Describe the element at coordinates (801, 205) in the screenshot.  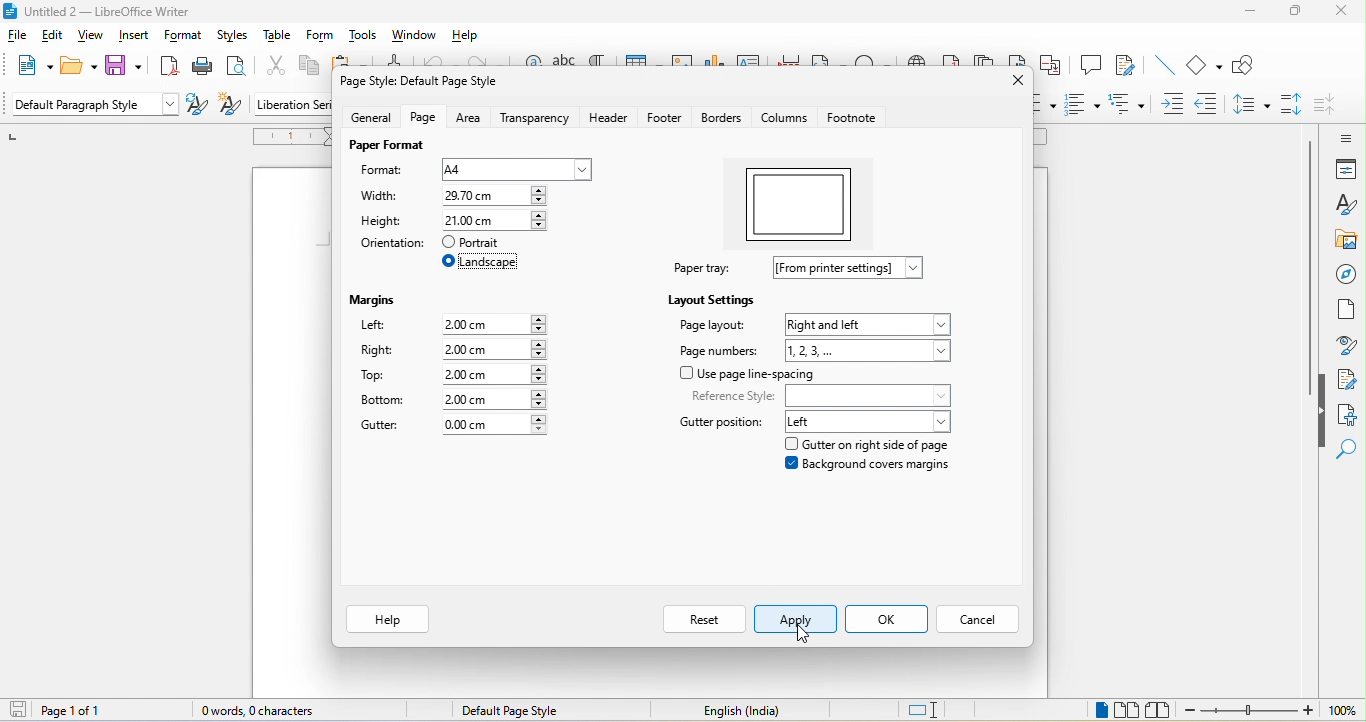
I see `orientation preview changed to landscape` at that location.